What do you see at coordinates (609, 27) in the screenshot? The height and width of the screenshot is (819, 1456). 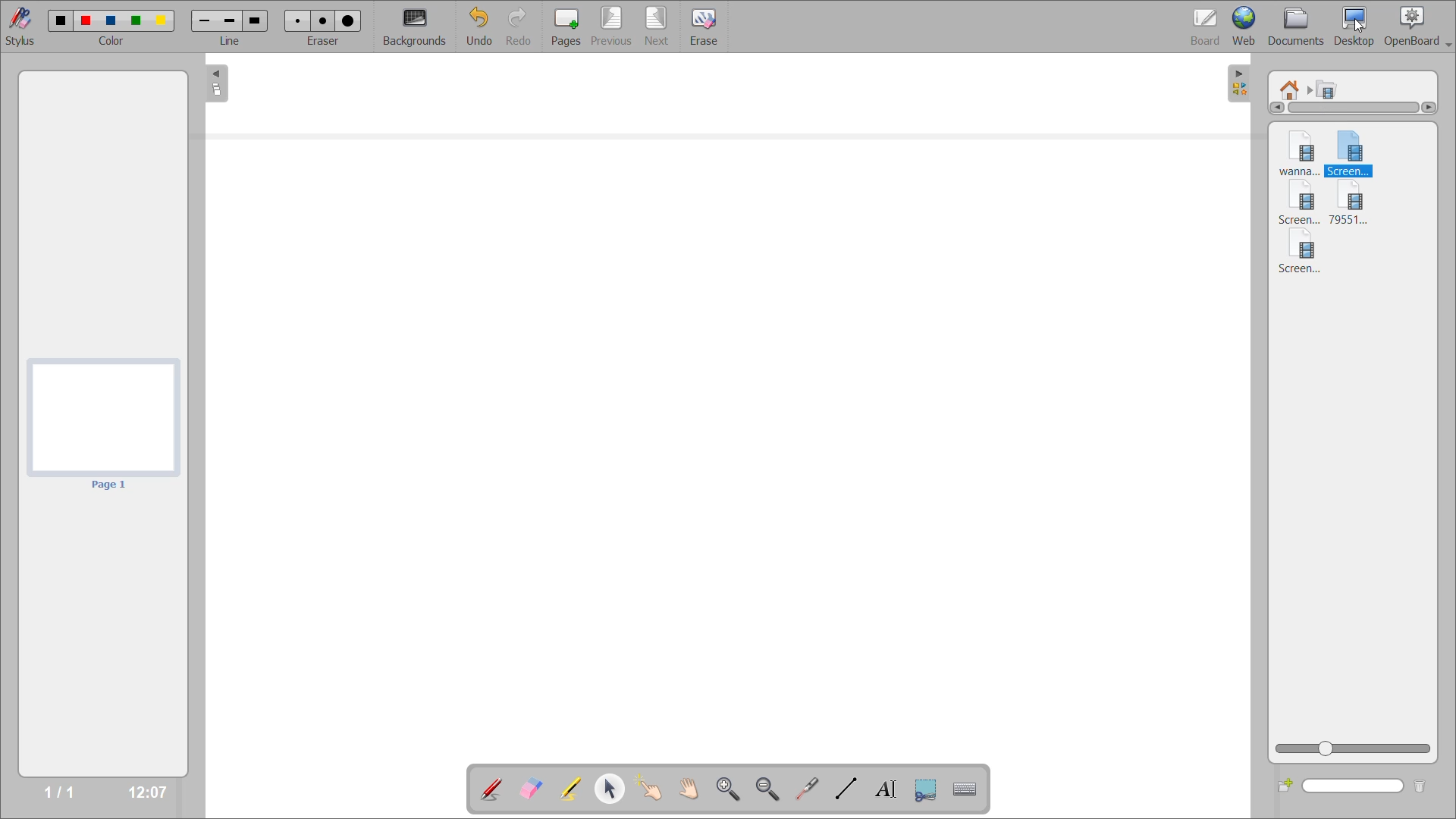 I see `previous` at bounding box center [609, 27].